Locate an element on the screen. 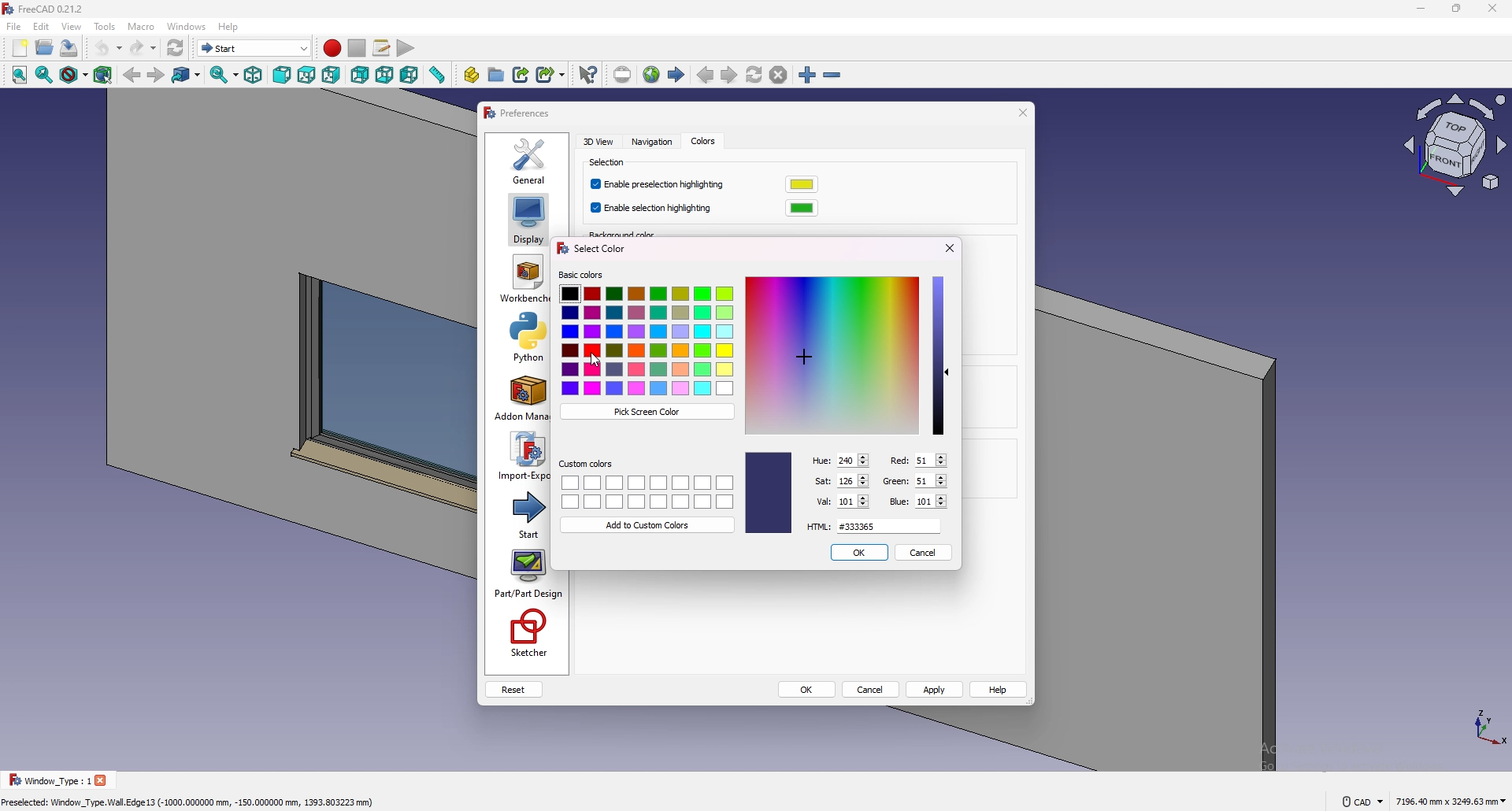 The width and height of the screenshot is (1512, 811). go to link object is located at coordinates (187, 76).